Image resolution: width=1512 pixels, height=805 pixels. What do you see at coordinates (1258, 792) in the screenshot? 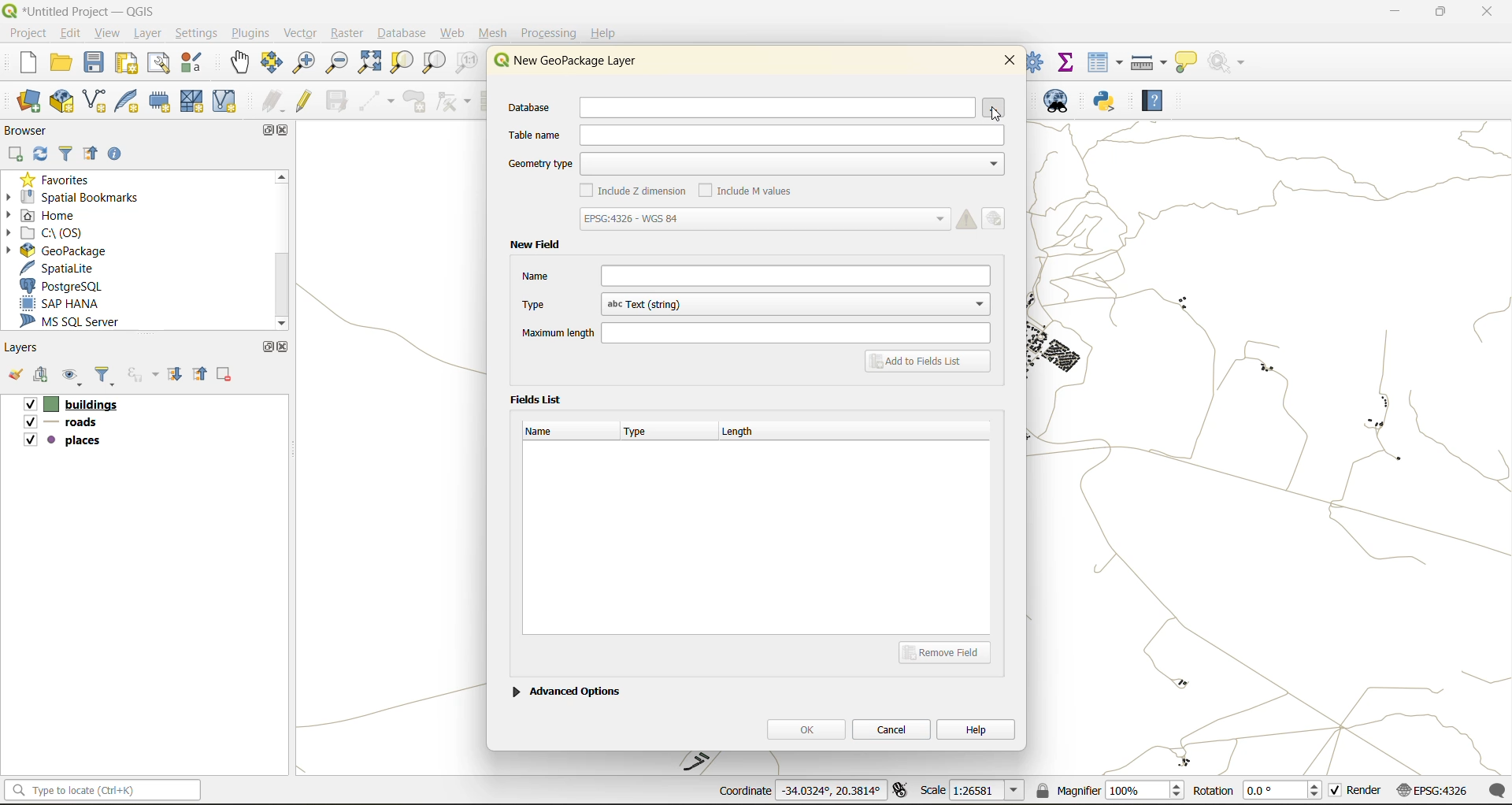
I see `rotation` at bounding box center [1258, 792].